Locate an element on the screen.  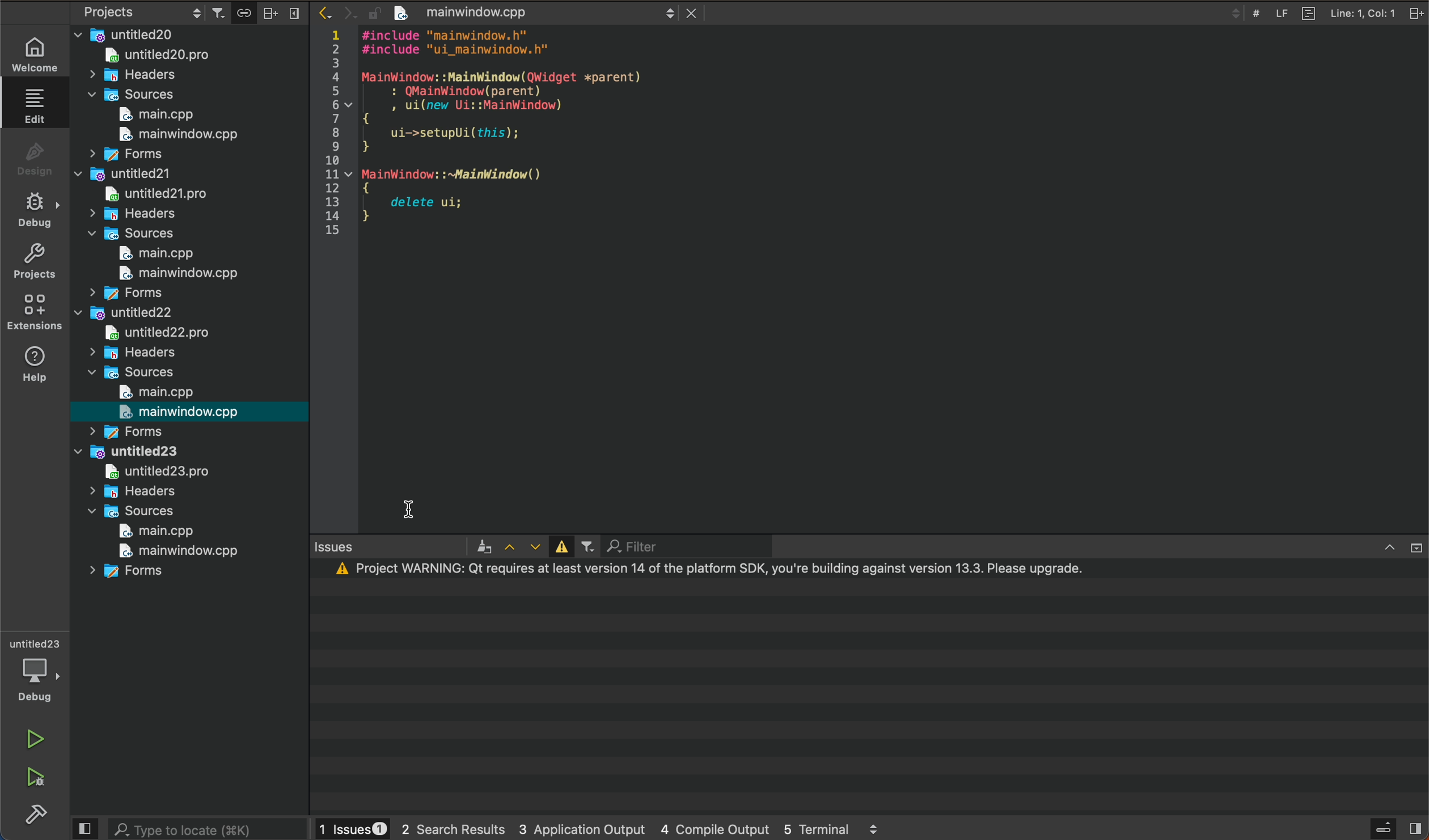
sources is located at coordinates (136, 95).